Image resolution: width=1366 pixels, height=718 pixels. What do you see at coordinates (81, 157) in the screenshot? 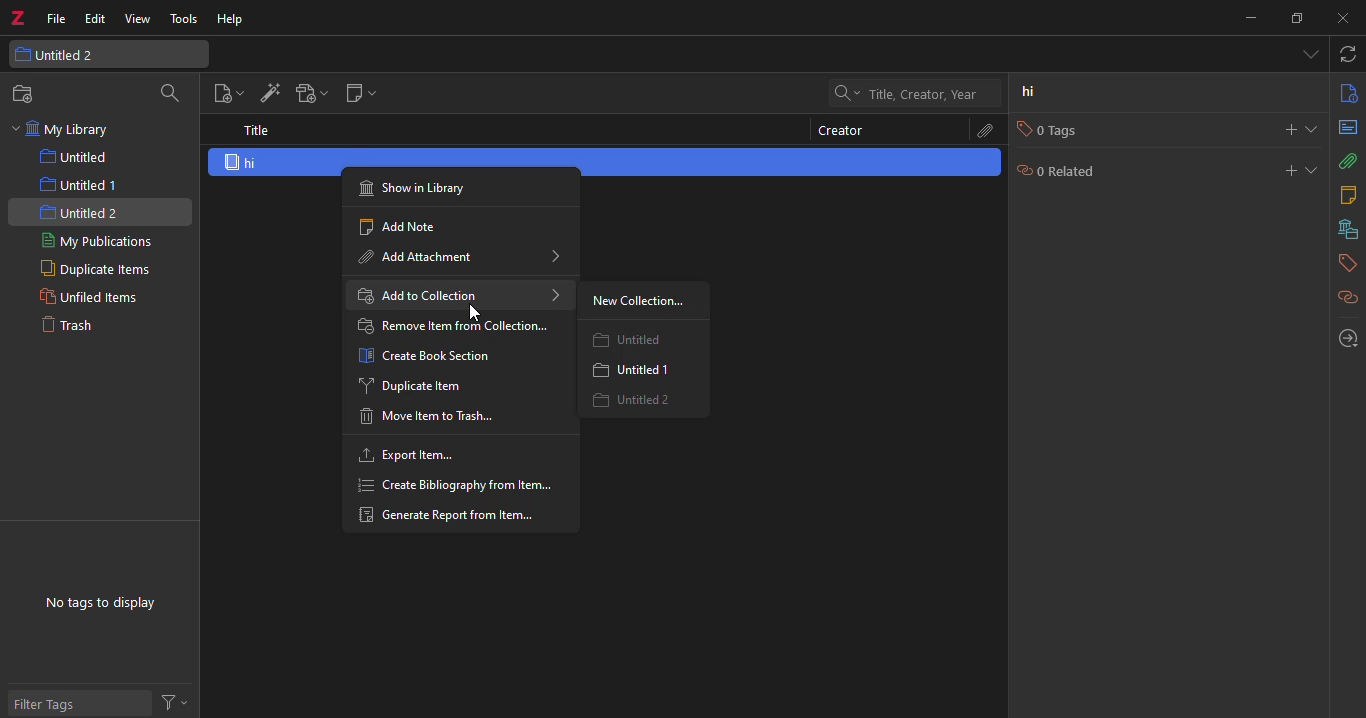
I see `untitled` at bounding box center [81, 157].